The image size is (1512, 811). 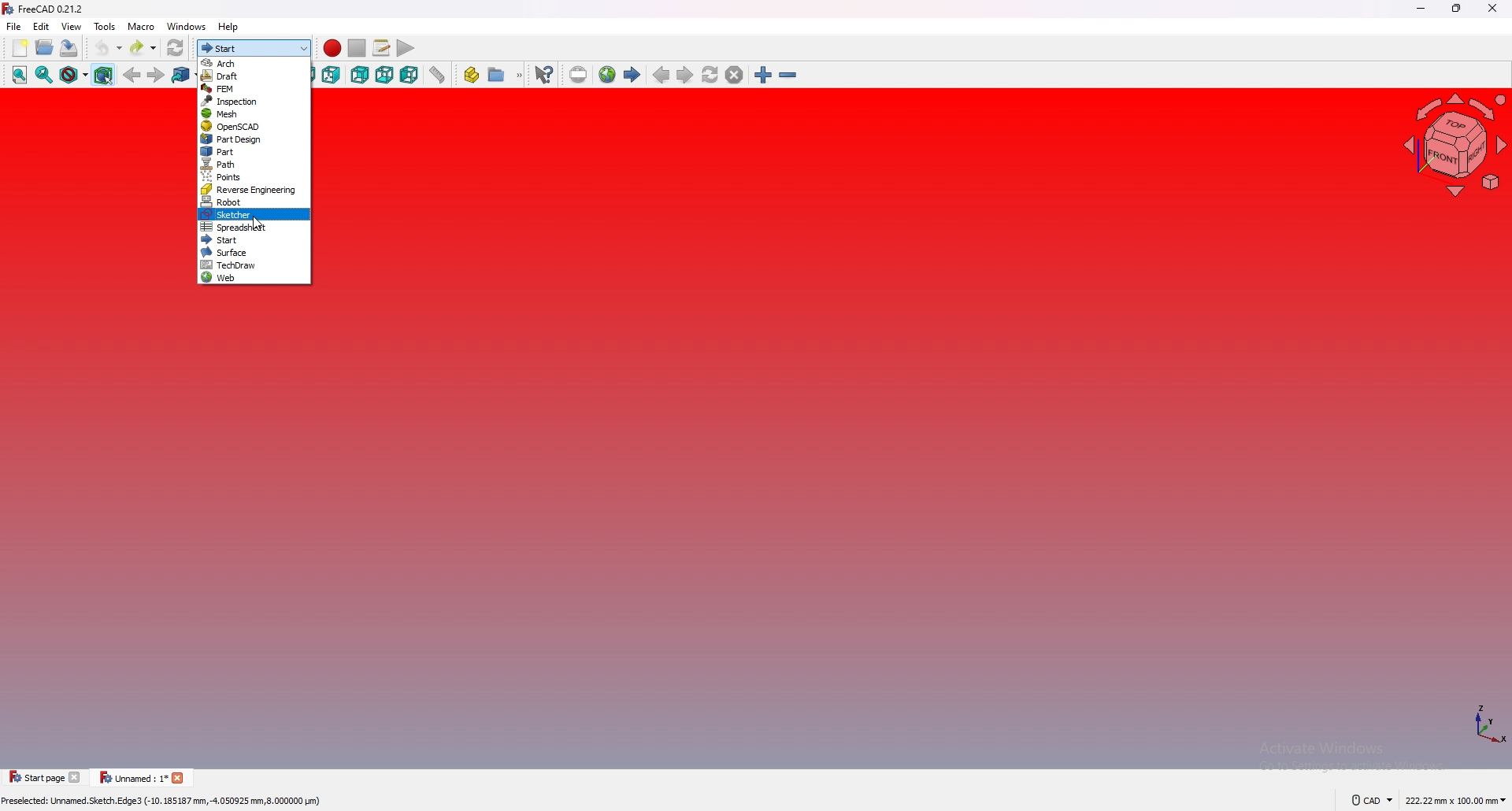 I want to click on help, so click(x=228, y=26).